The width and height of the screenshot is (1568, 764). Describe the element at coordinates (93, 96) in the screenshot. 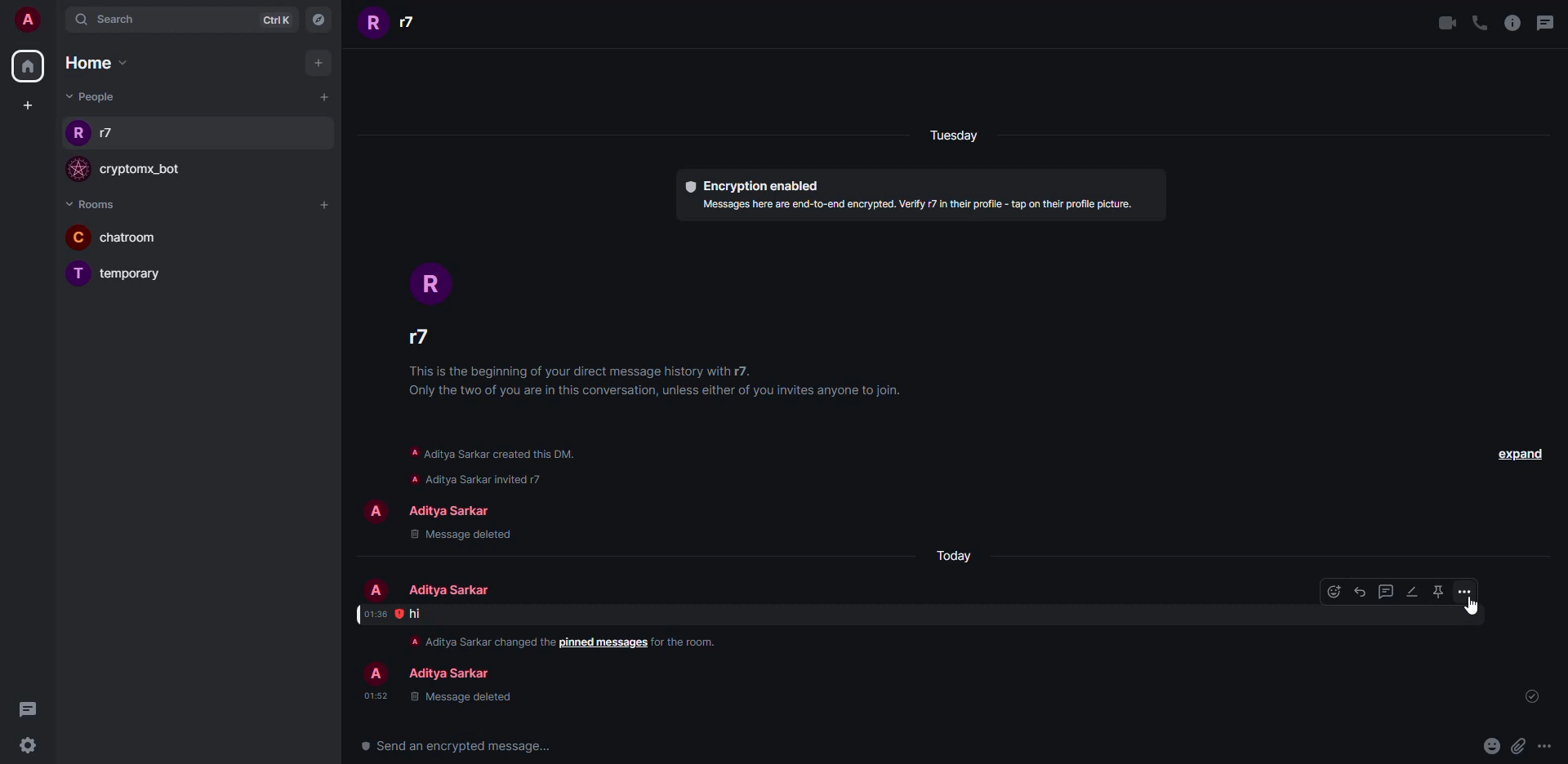

I see `people` at that location.